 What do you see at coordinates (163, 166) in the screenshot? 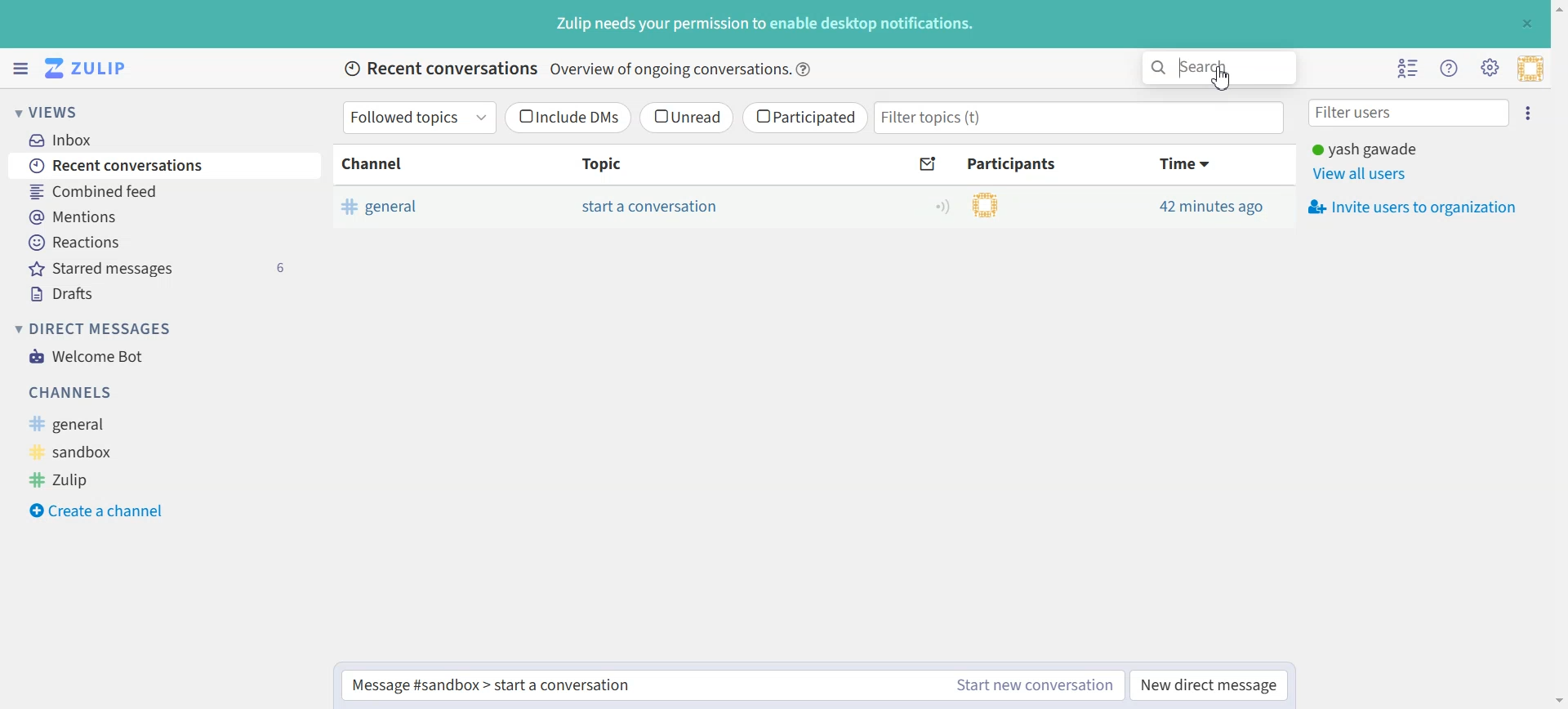
I see `Recent conversations` at bounding box center [163, 166].